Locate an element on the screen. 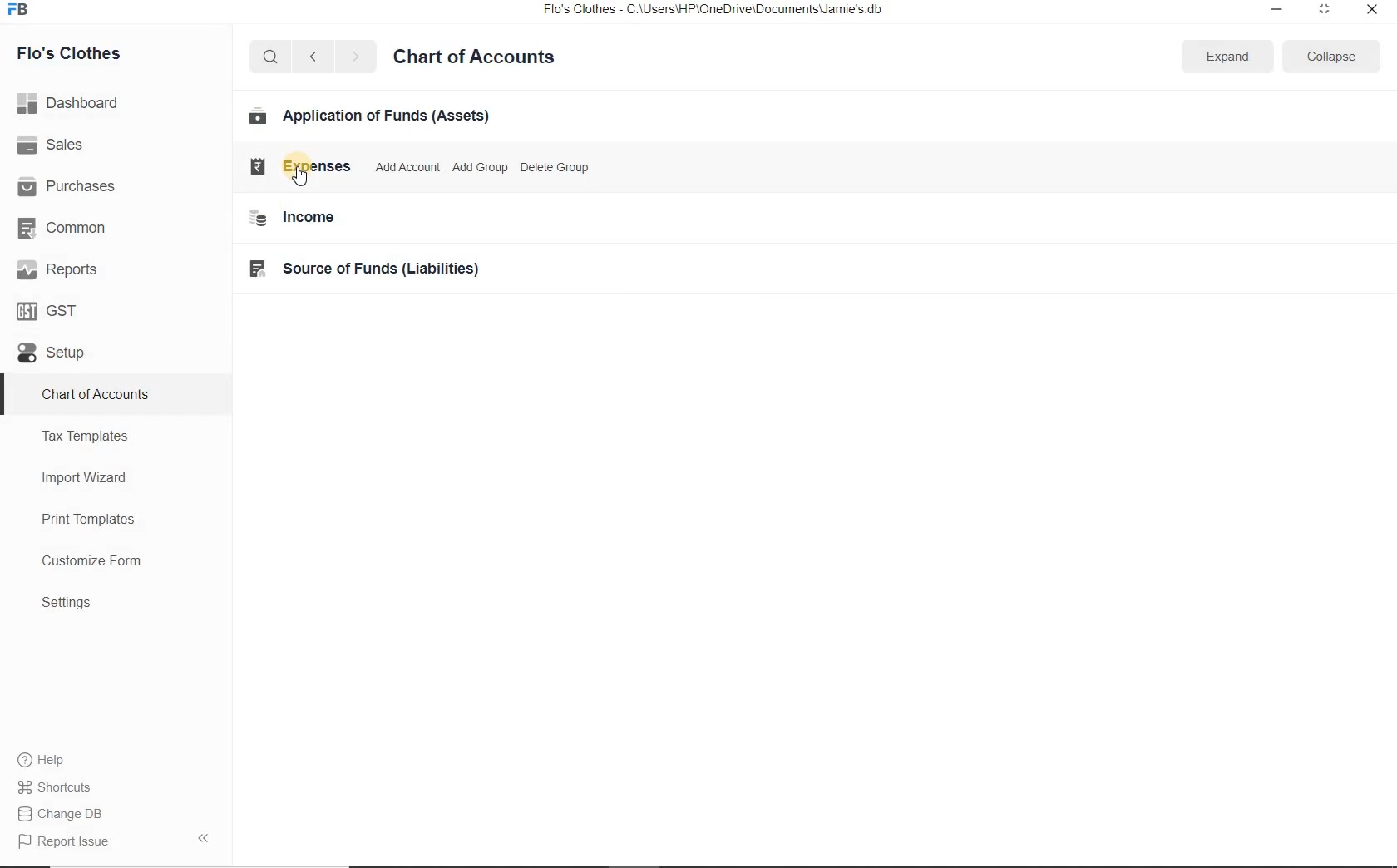 This screenshot has width=1397, height=868.  Change DB is located at coordinates (70, 813).